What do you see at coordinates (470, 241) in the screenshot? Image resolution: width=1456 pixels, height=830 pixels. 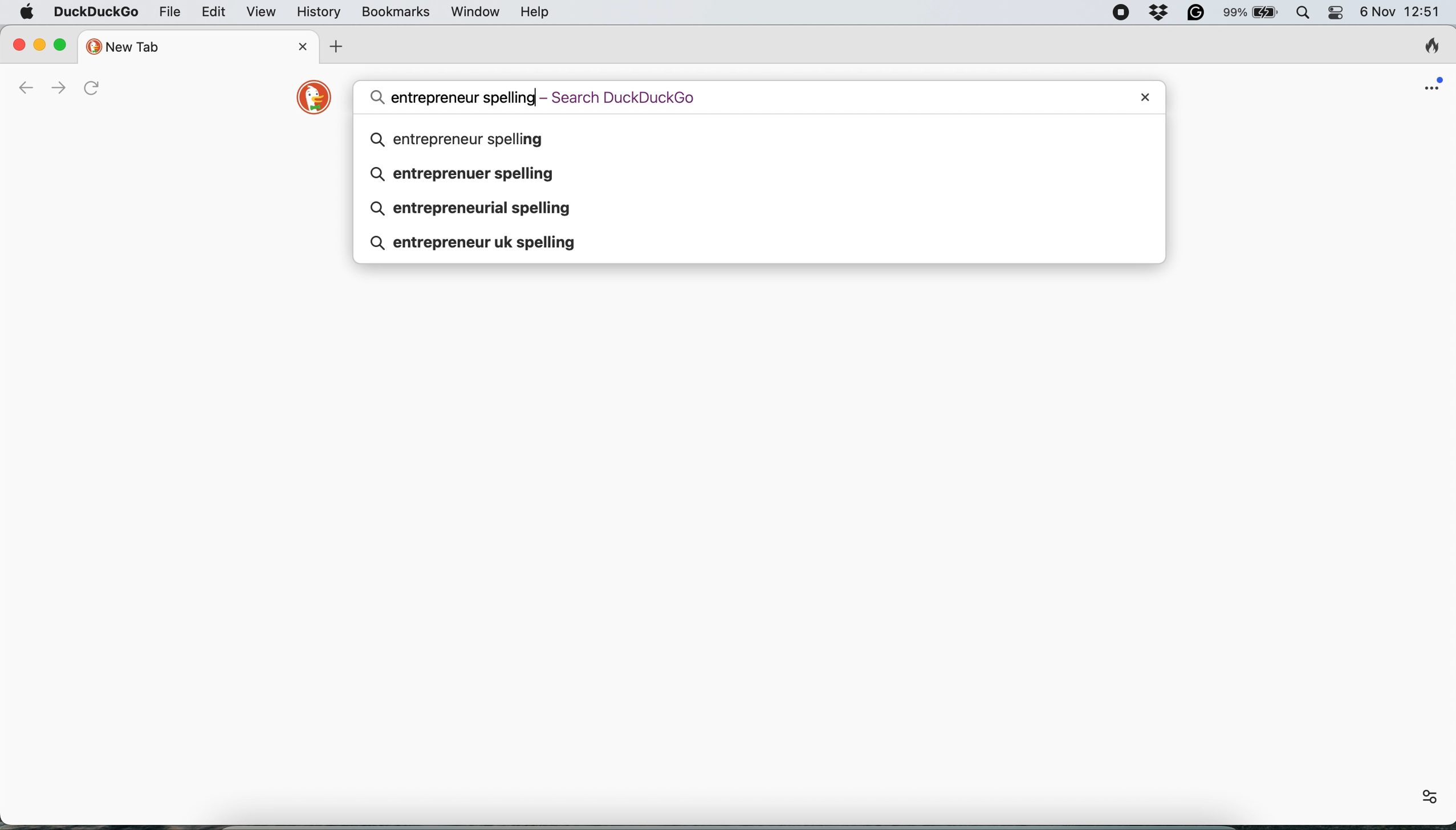 I see `entrepreneur uk spelling` at bounding box center [470, 241].